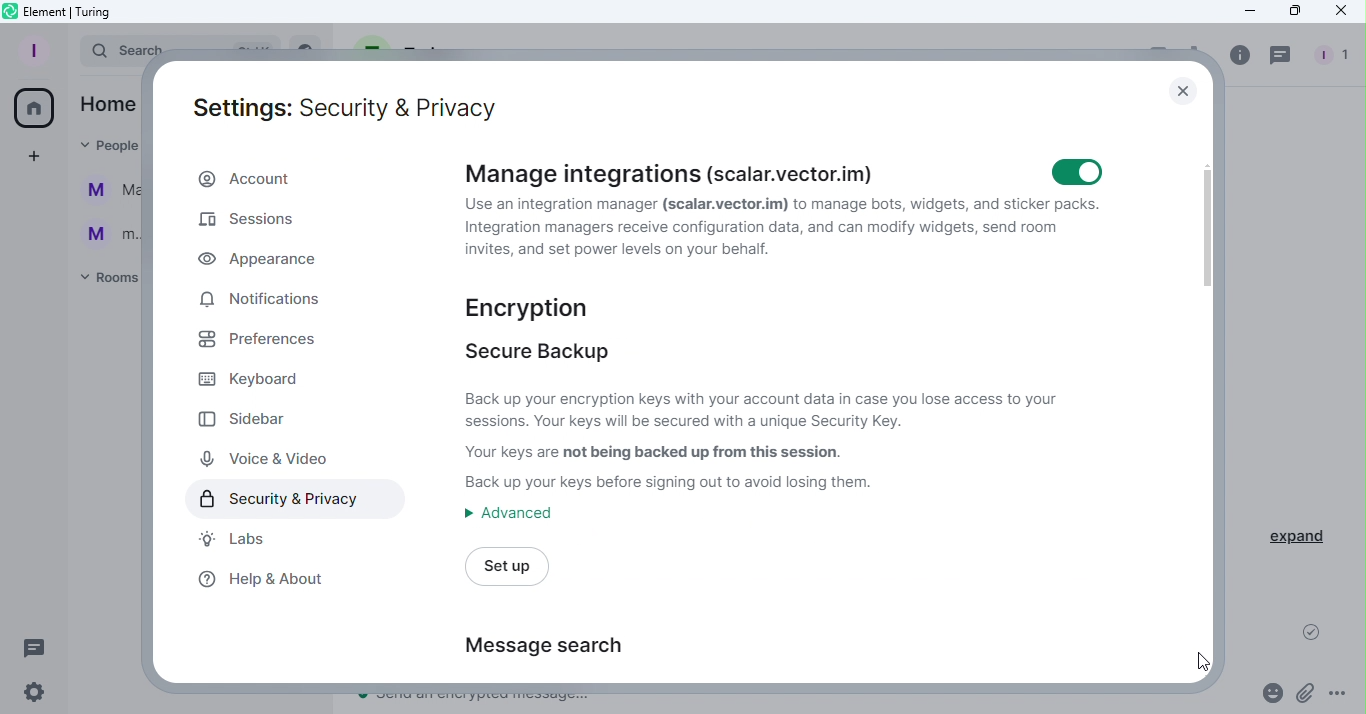 This screenshot has width=1366, height=714. I want to click on Search, so click(109, 52).